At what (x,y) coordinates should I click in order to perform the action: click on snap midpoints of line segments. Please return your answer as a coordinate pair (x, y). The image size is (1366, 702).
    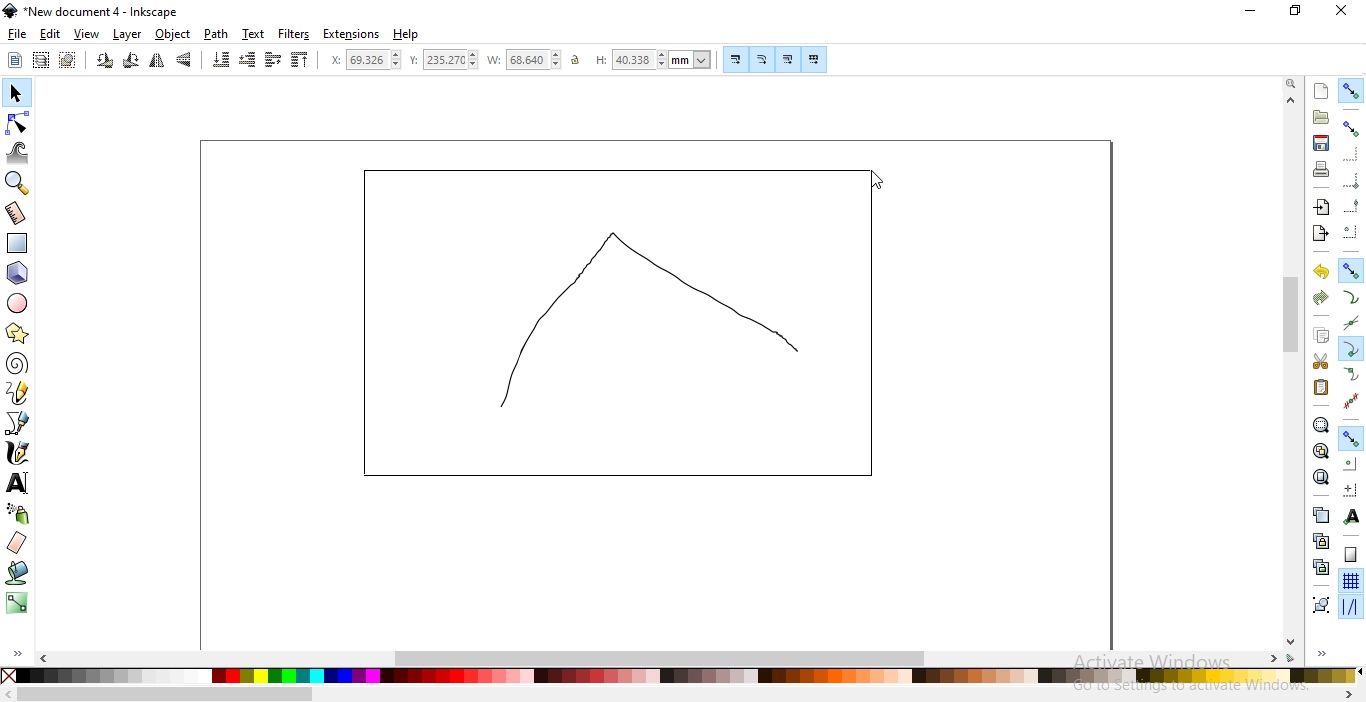
    Looking at the image, I should click on (1352, 400).